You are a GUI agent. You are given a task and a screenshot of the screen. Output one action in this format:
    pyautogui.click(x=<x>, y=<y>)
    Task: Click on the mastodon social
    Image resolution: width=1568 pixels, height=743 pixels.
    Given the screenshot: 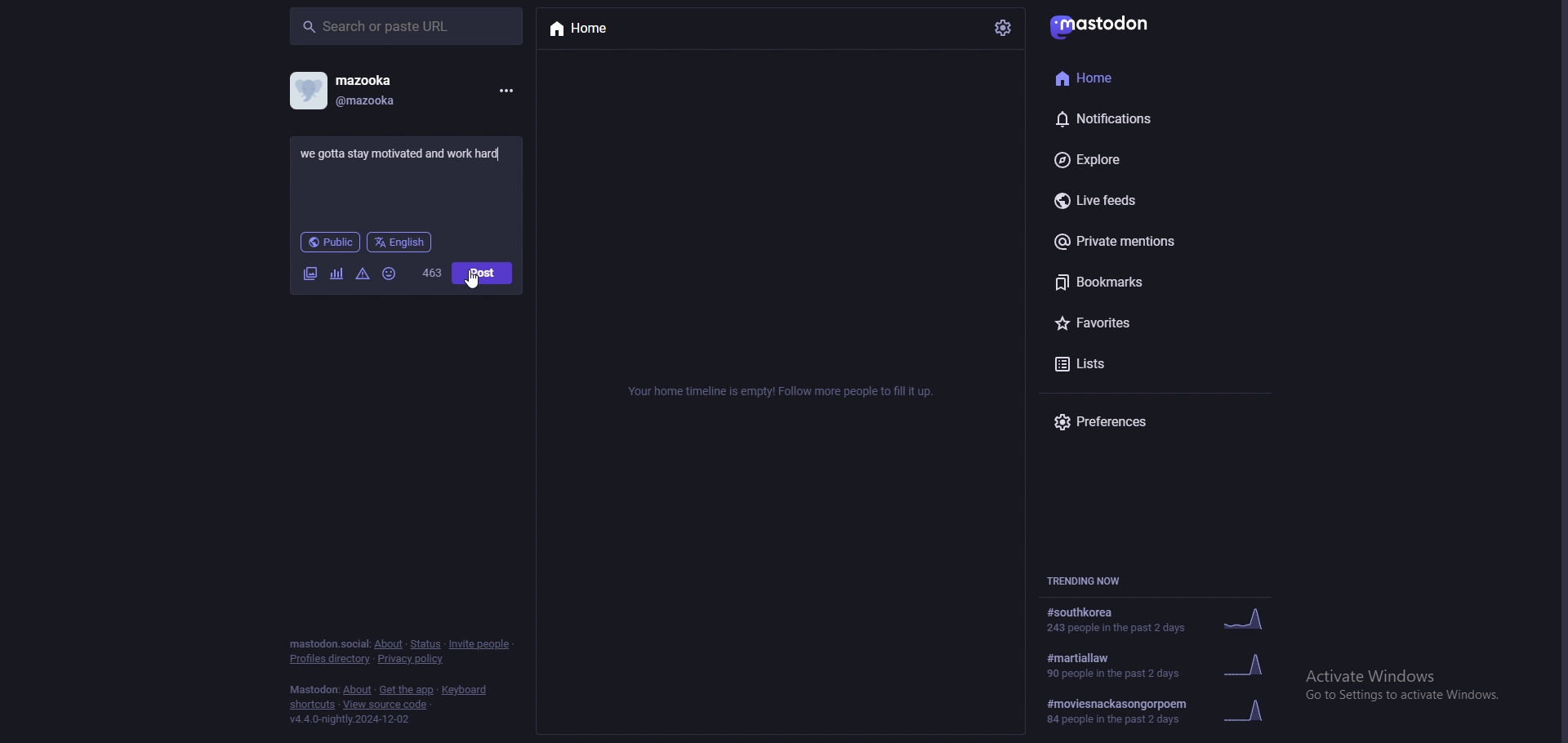 What is the action you would take?
    pyautogui.click(x=328, y=644)
    